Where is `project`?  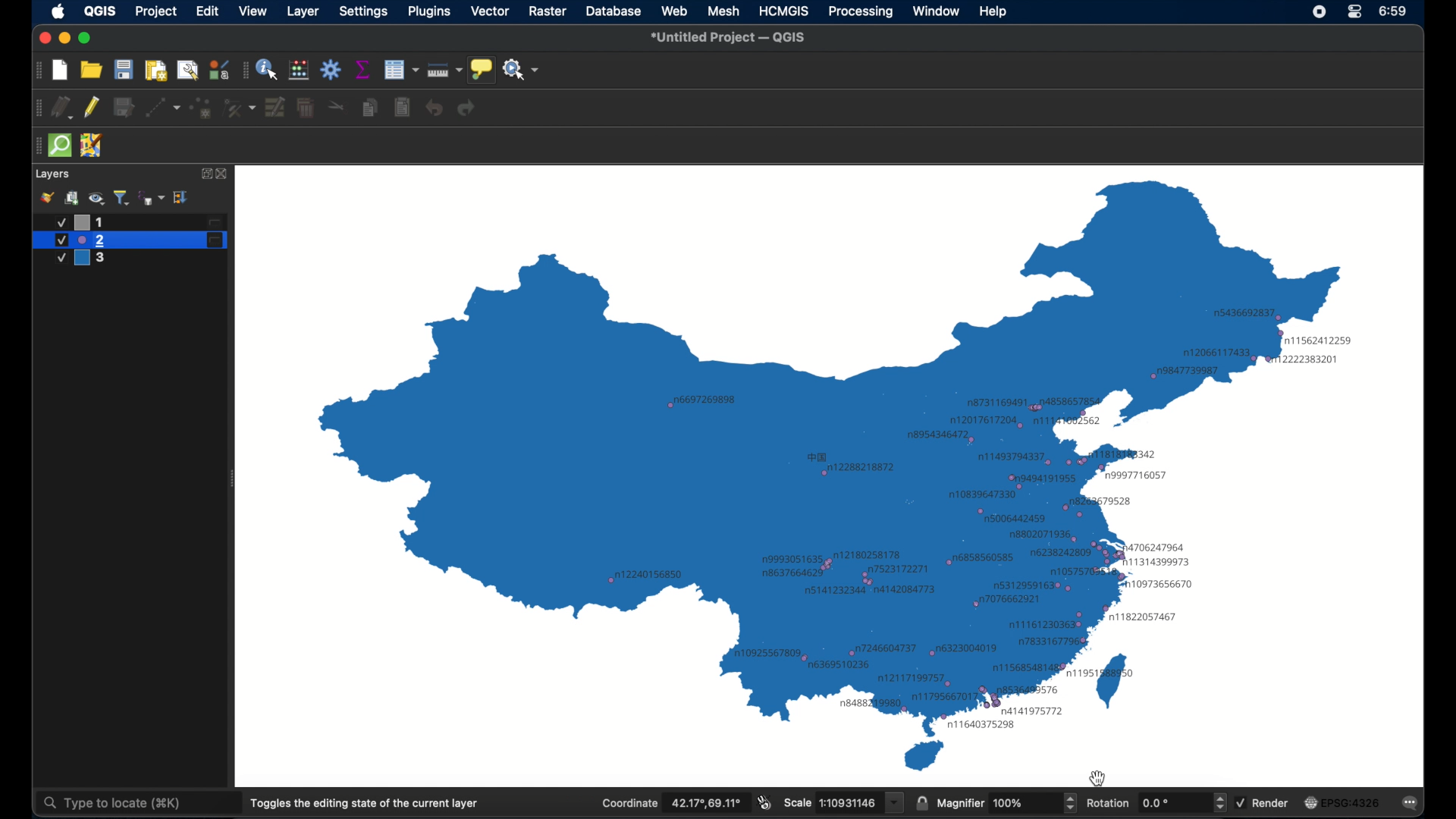
project is located at coordinates (155, 11).